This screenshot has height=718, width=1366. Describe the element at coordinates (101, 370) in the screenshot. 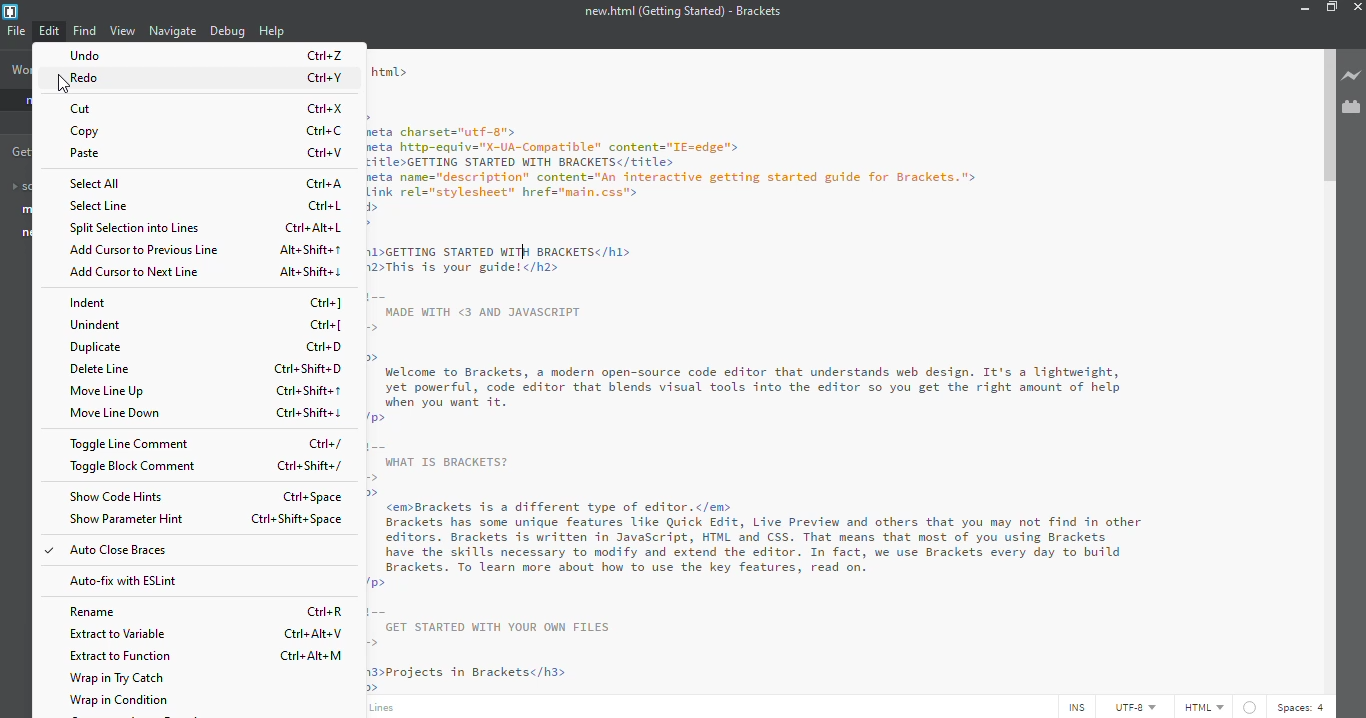

I see `delete line` at that location.